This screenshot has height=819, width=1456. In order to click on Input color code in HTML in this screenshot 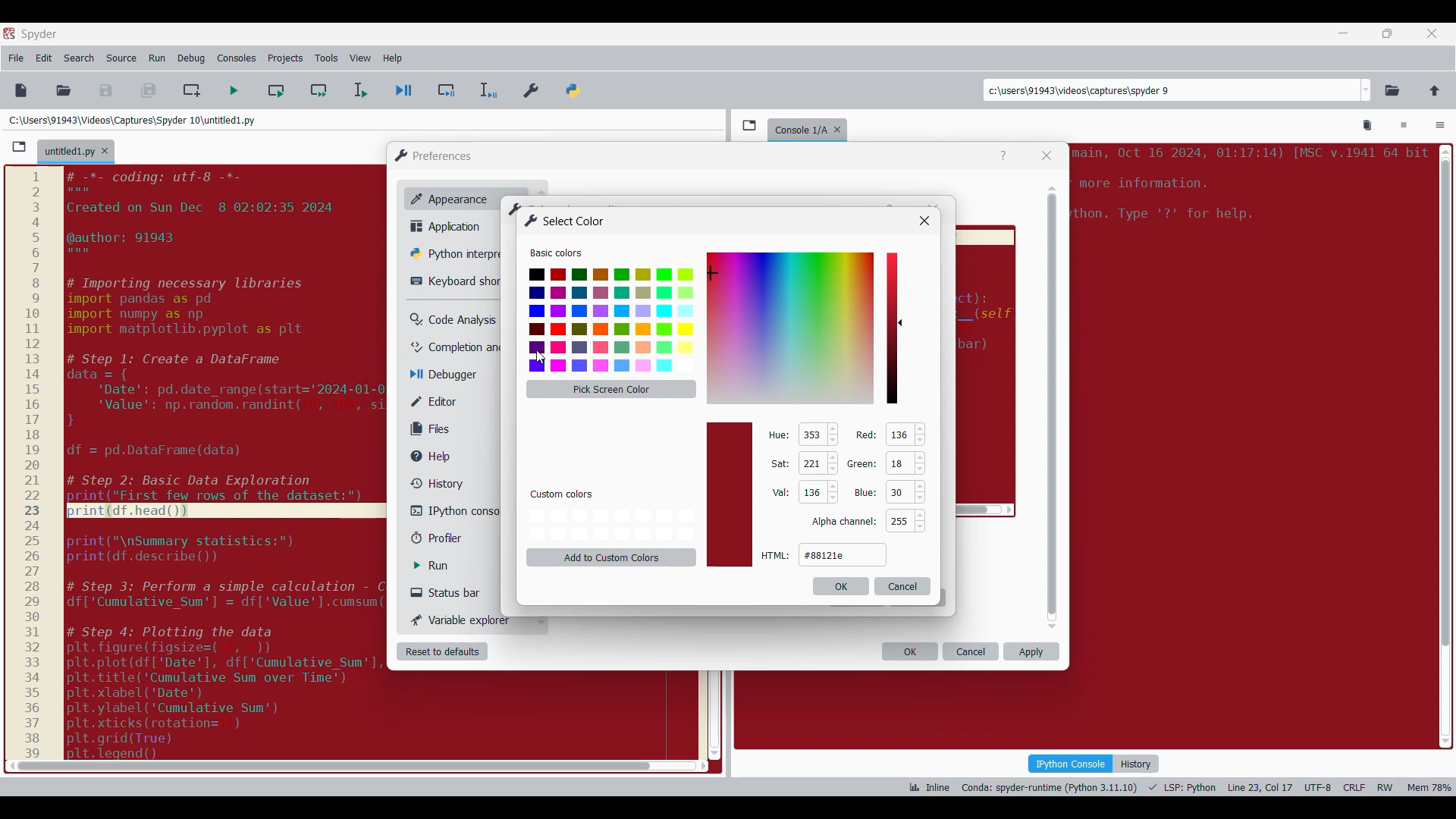, I will do `click(843, 554)`.